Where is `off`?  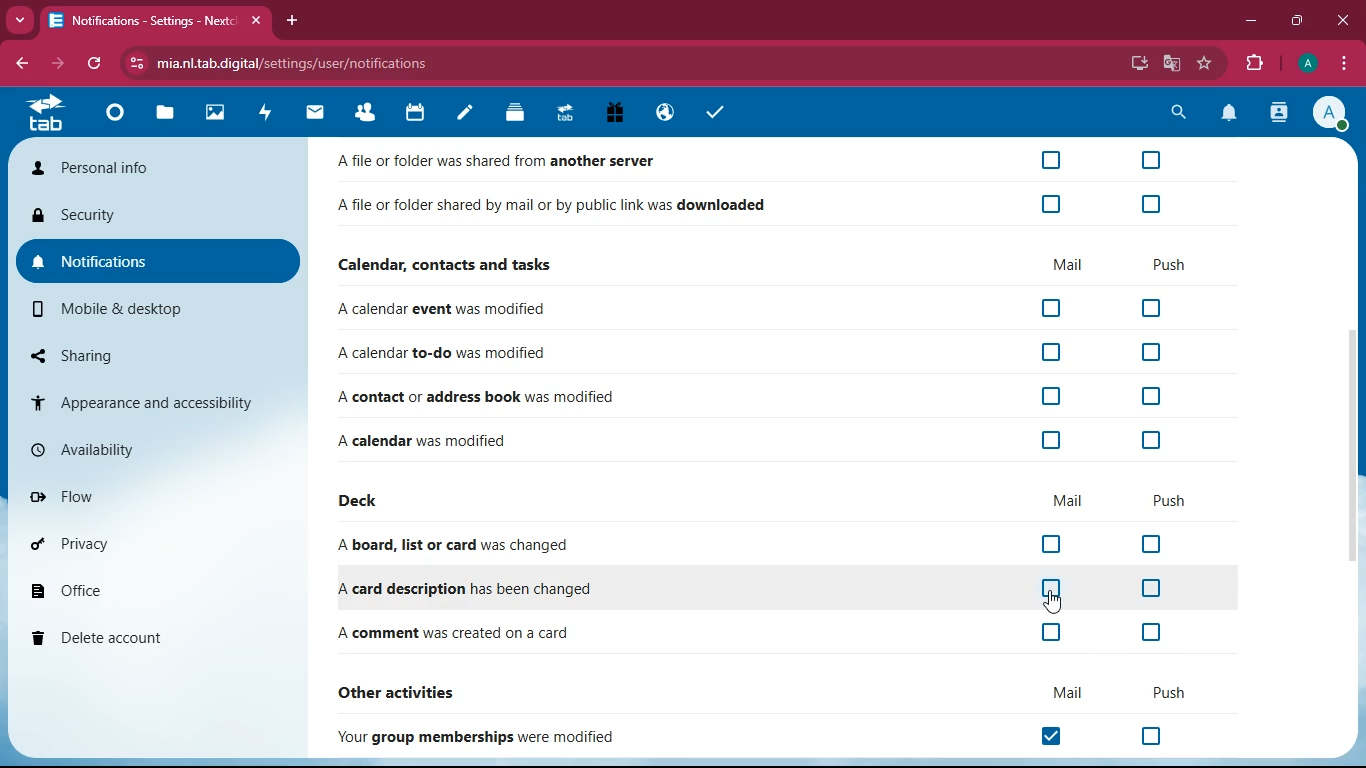
off is located at coordinates (1151, 735).